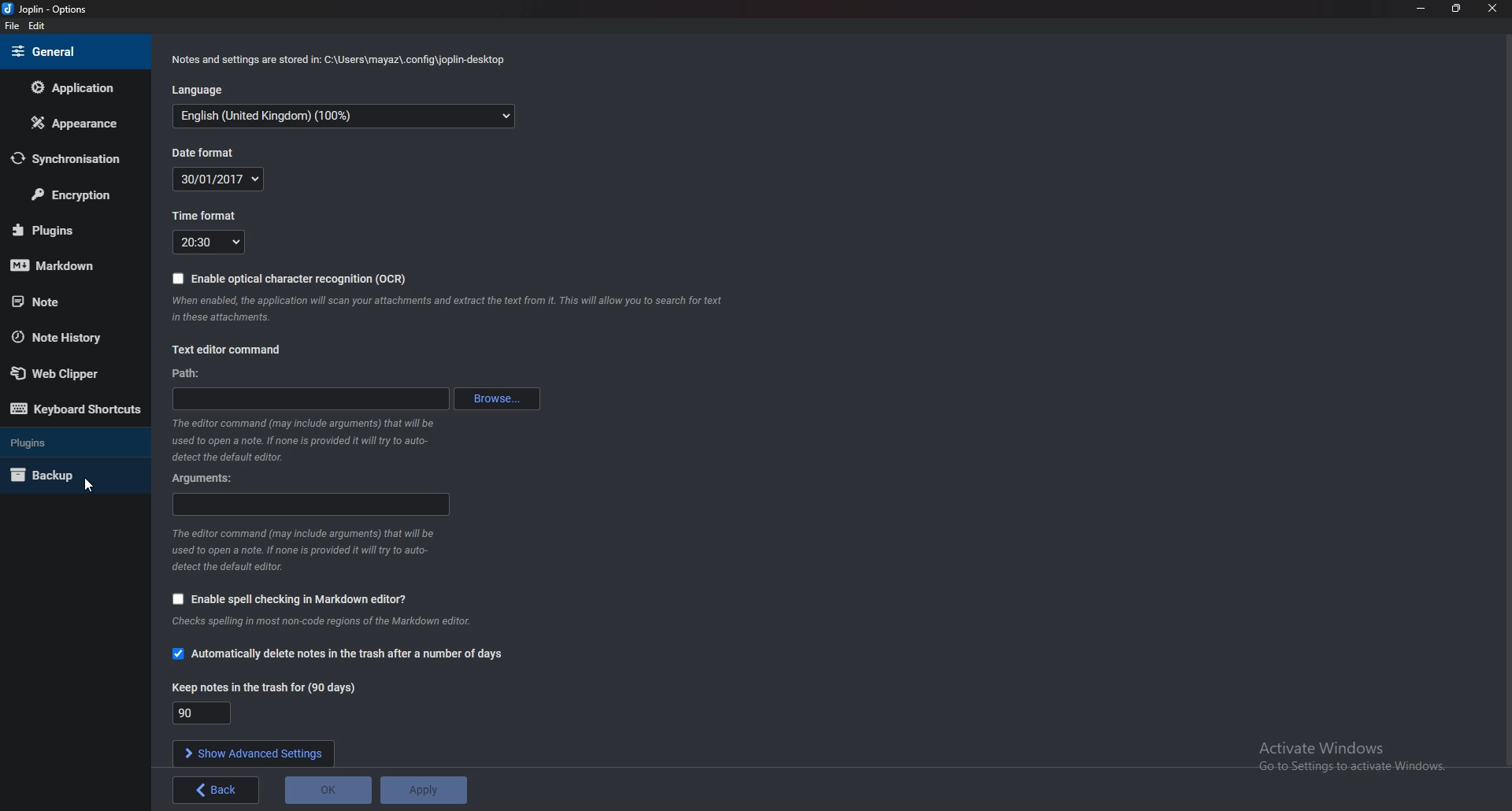  Describe the element at coordinates (71, 159) in the screenshot. I see `Synchronization` at that location.